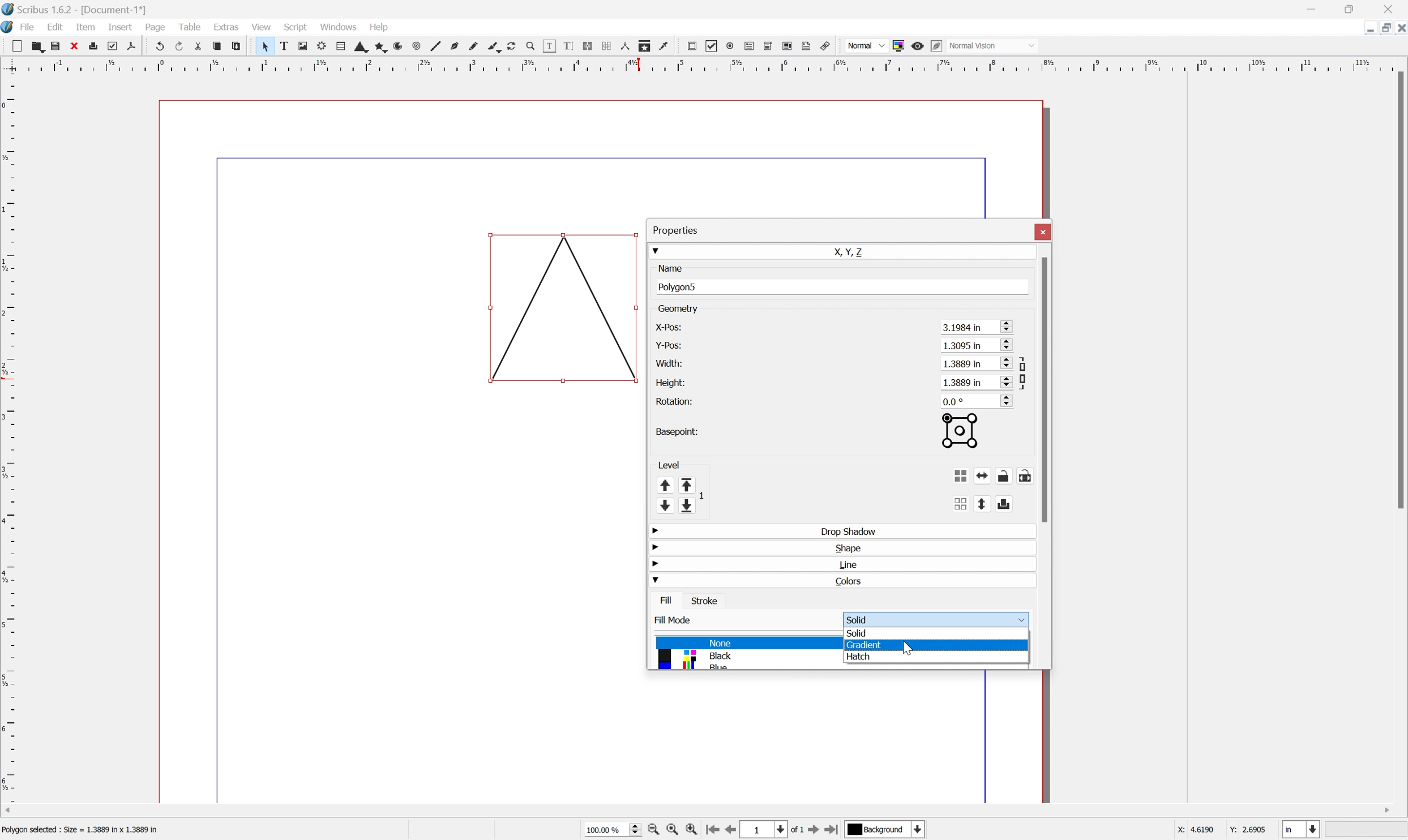  What do you see at coordinates (865, 644) in the screenshot?
I see `Gradient` at bounding box center [865, 644].